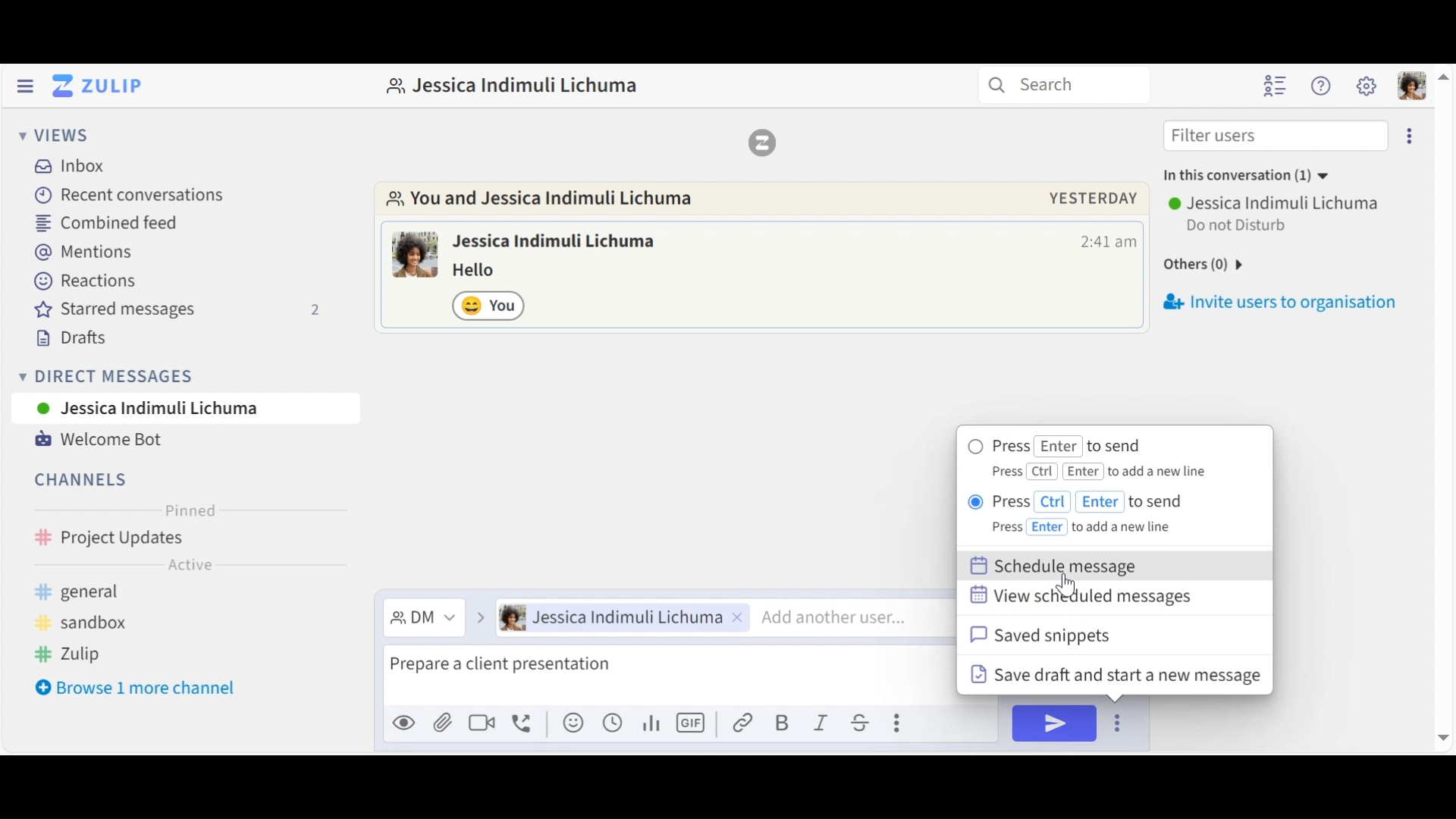 Image resolution: width=1456 pixels, height=819 pixels. Describe the element at coordinates (667, 678) in the screenshot. I see `Compose message` at that location.